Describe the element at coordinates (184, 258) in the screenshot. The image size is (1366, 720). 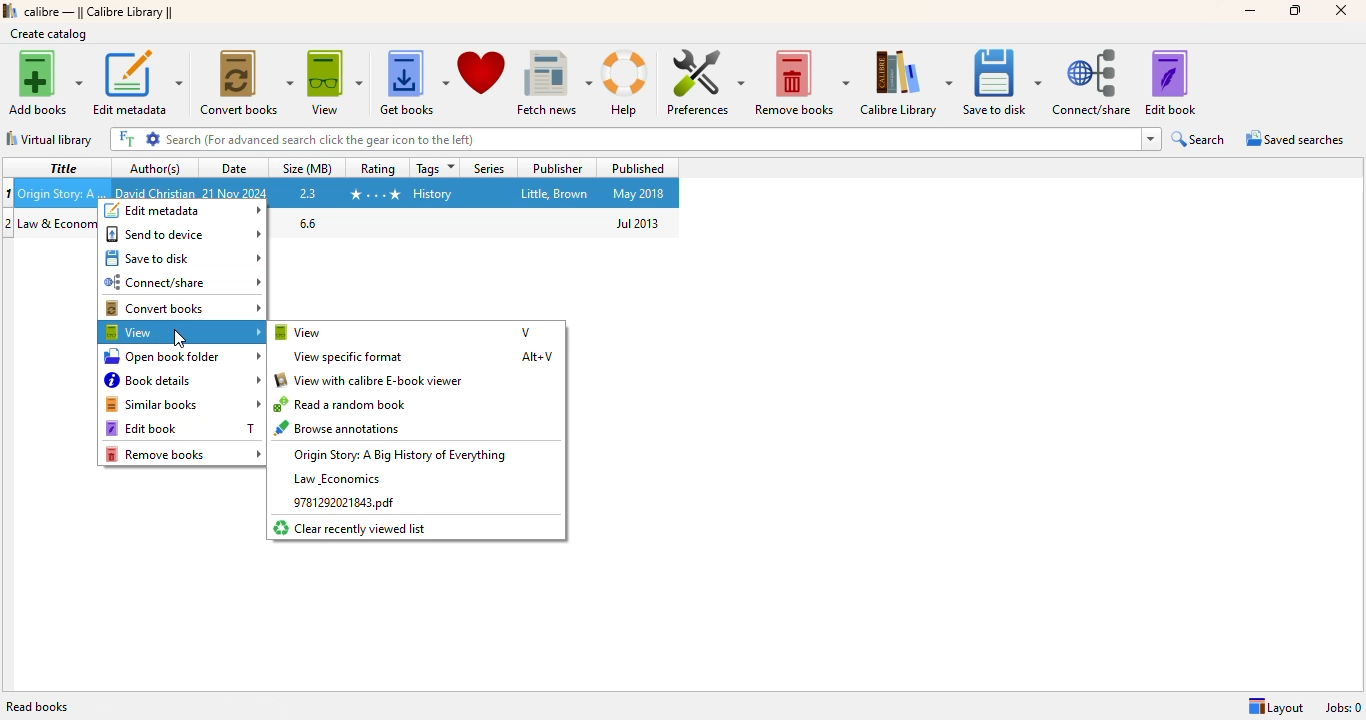
I see `save to disk` at that location.